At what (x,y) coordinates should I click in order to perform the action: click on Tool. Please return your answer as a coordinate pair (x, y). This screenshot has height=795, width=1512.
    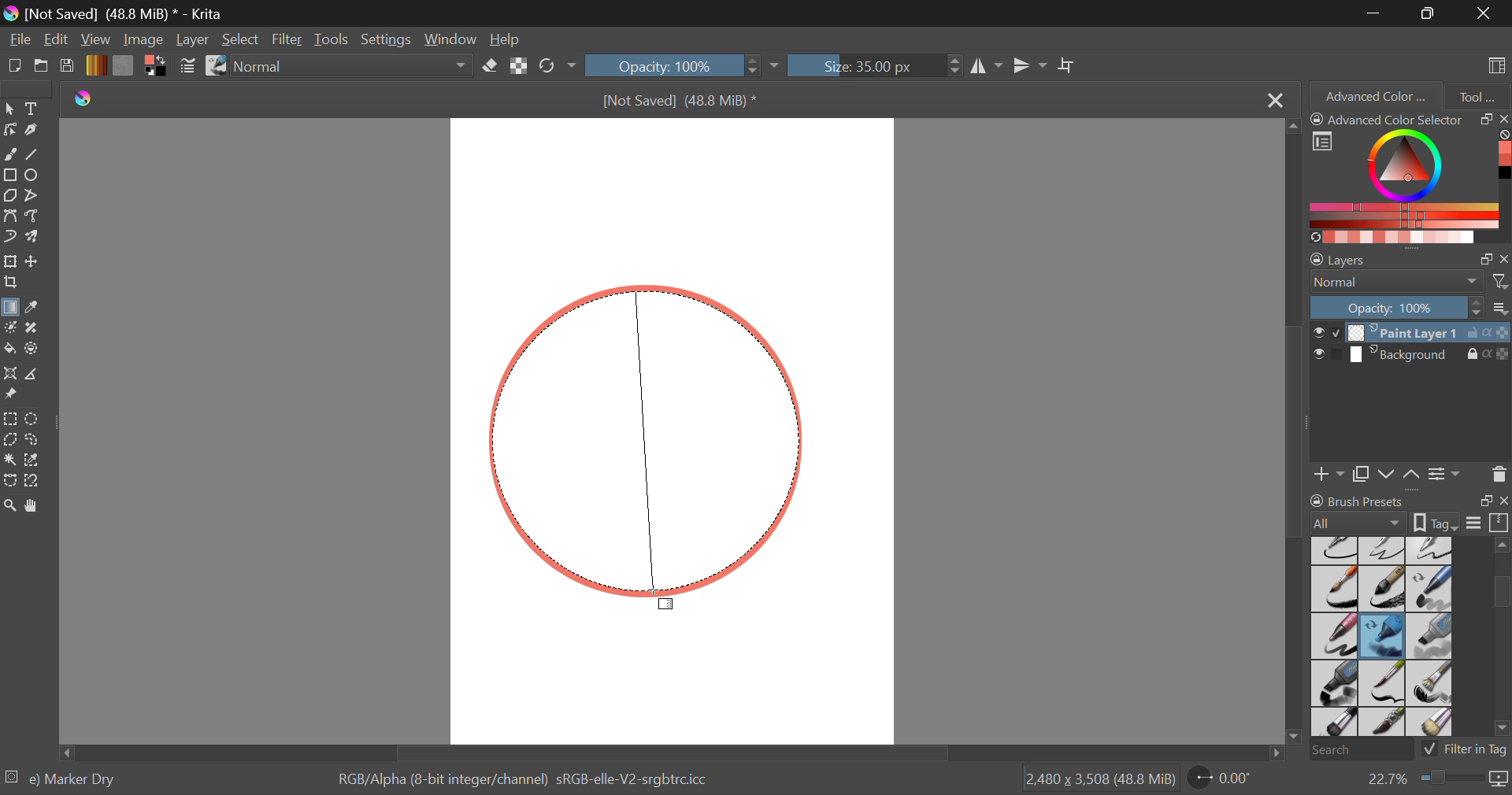
    Looking at the image, I should click on (1477, 94).